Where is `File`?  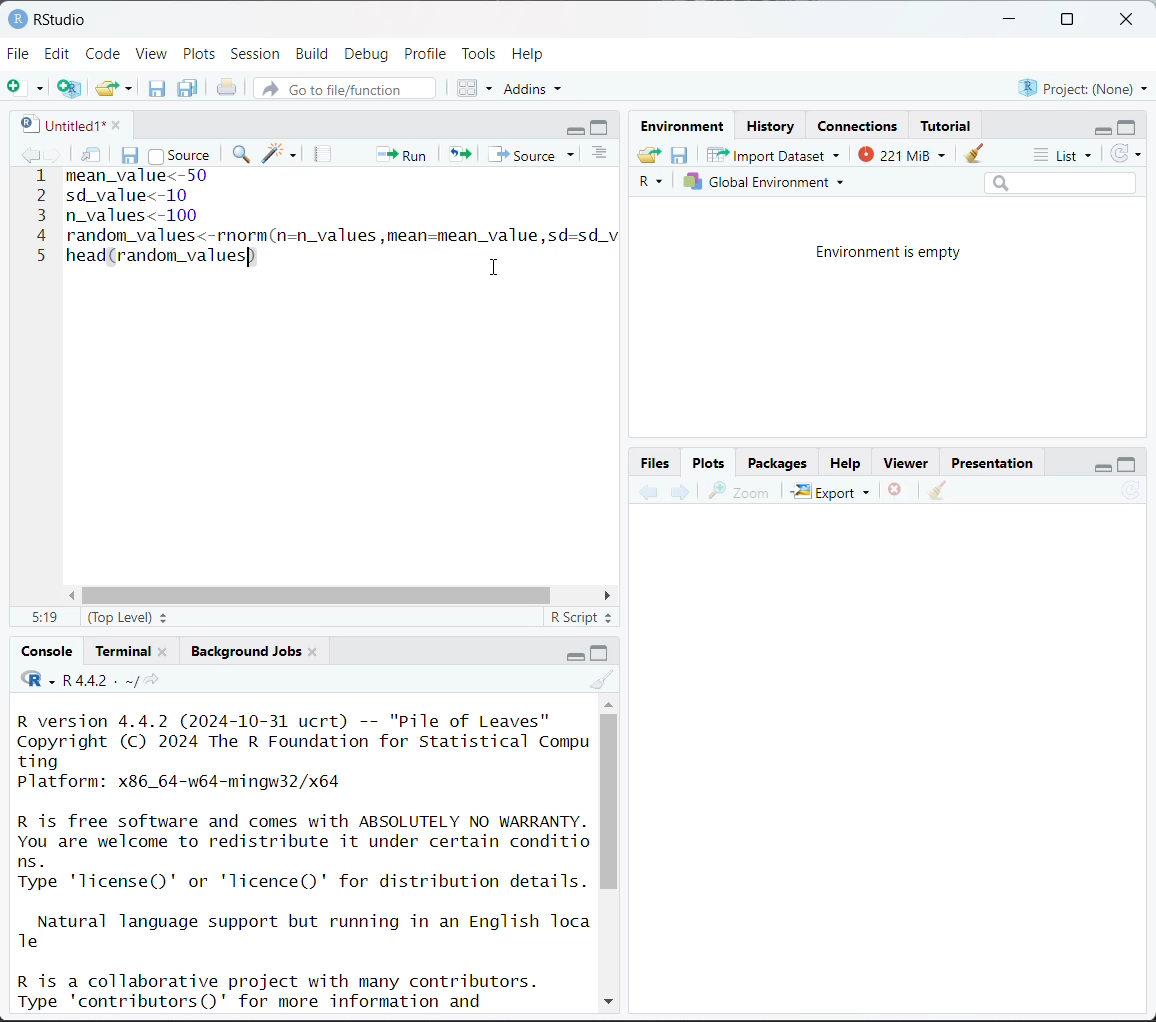 File is located at coordinates (19, 53).